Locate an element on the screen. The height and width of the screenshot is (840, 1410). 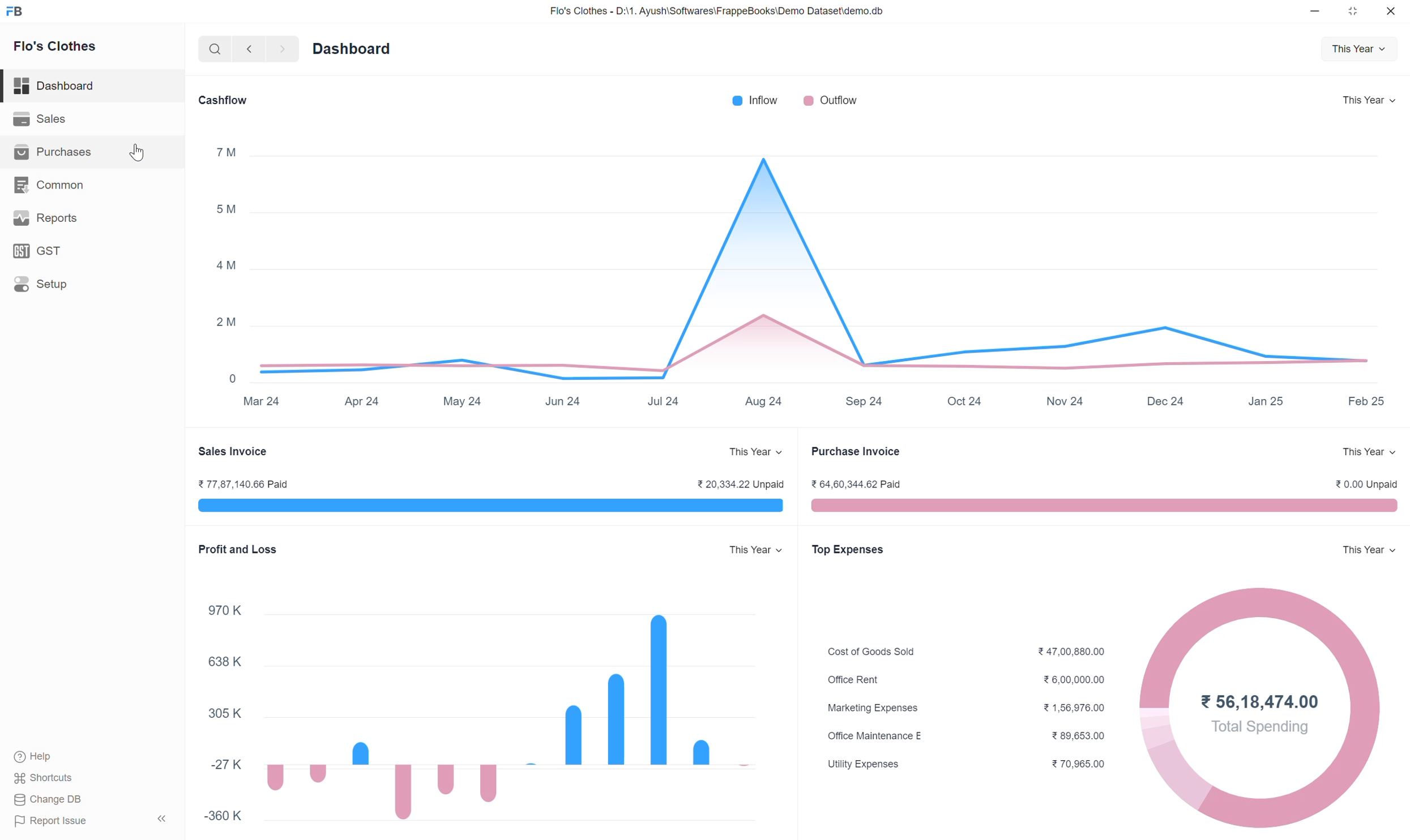
6,00,000.00 is located at coordinates (1074, 680).